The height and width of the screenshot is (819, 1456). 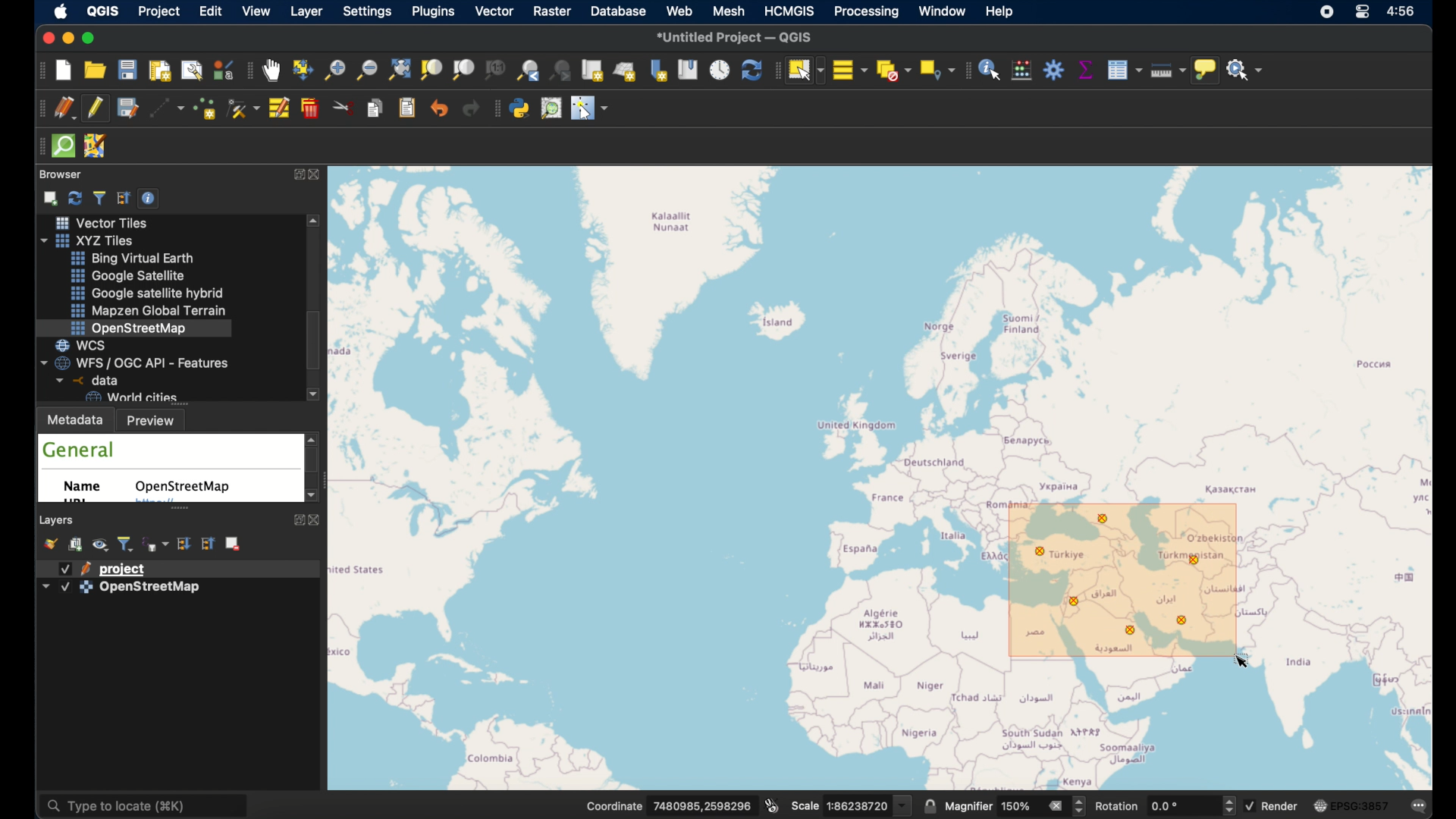 What do you see at coordinates (98, 108) in the screenshot?
I see `toggle editing` at bounding box center [98, 108].